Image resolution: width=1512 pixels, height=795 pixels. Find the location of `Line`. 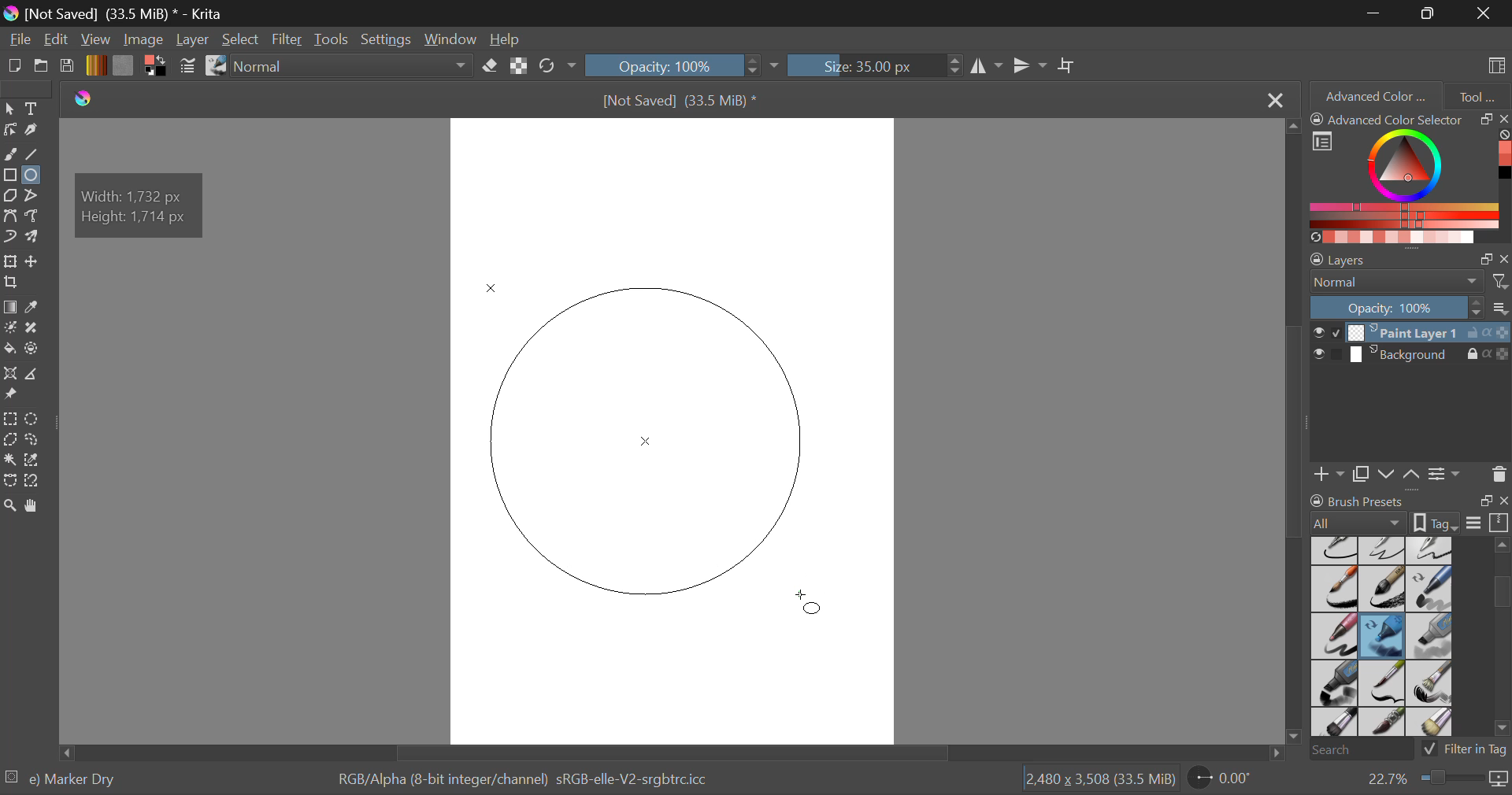

Line is located at coordinates (35, 156).